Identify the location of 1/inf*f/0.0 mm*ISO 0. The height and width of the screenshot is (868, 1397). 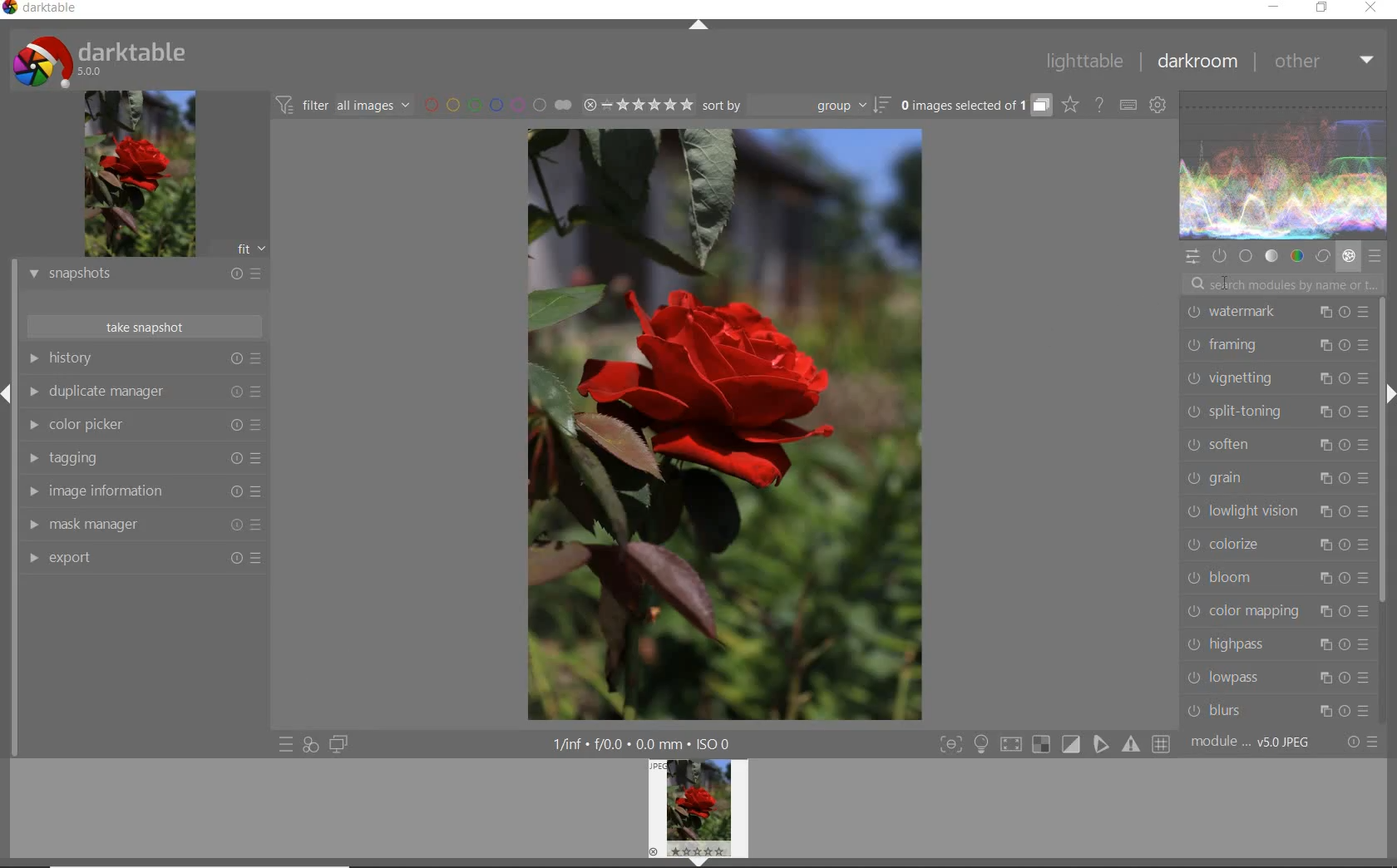
(648, 743).